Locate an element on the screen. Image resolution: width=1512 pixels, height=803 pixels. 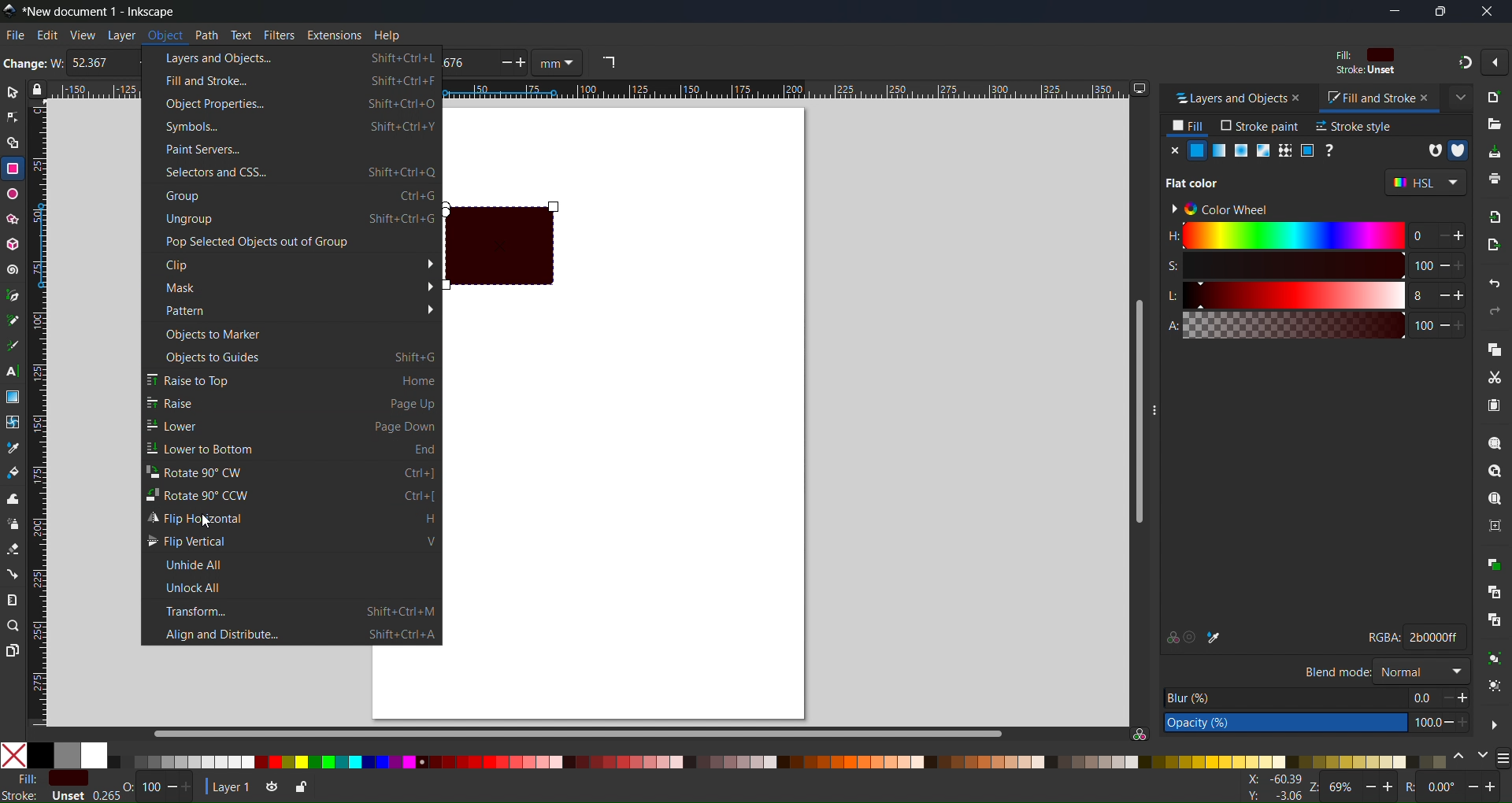
Paint bucket tool is located at coordinates (13, 471).